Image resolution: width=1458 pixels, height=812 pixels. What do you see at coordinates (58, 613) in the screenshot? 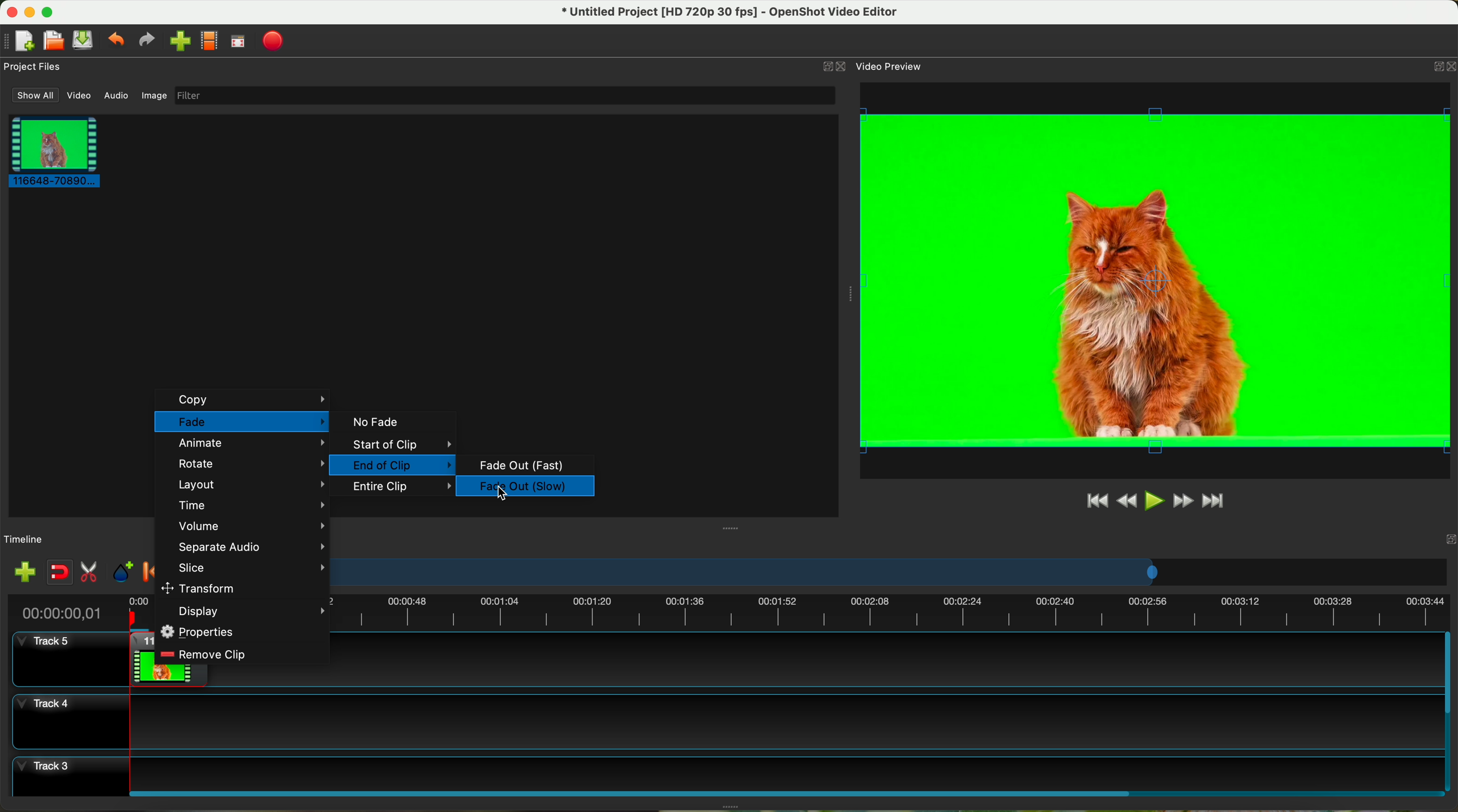
I see `time` at bounding box center [58, 613].